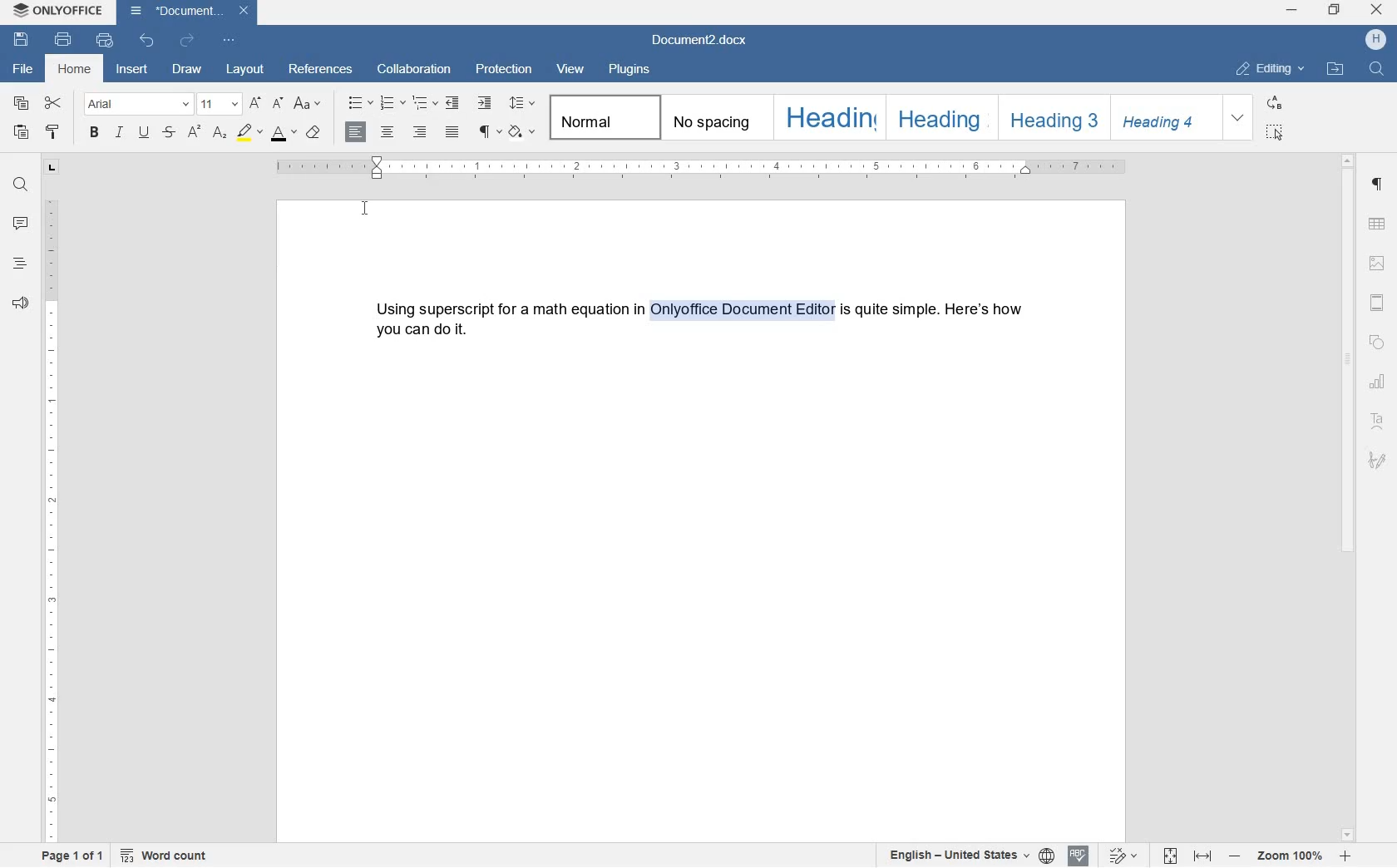  I want to click on headings, so click(20, 264).